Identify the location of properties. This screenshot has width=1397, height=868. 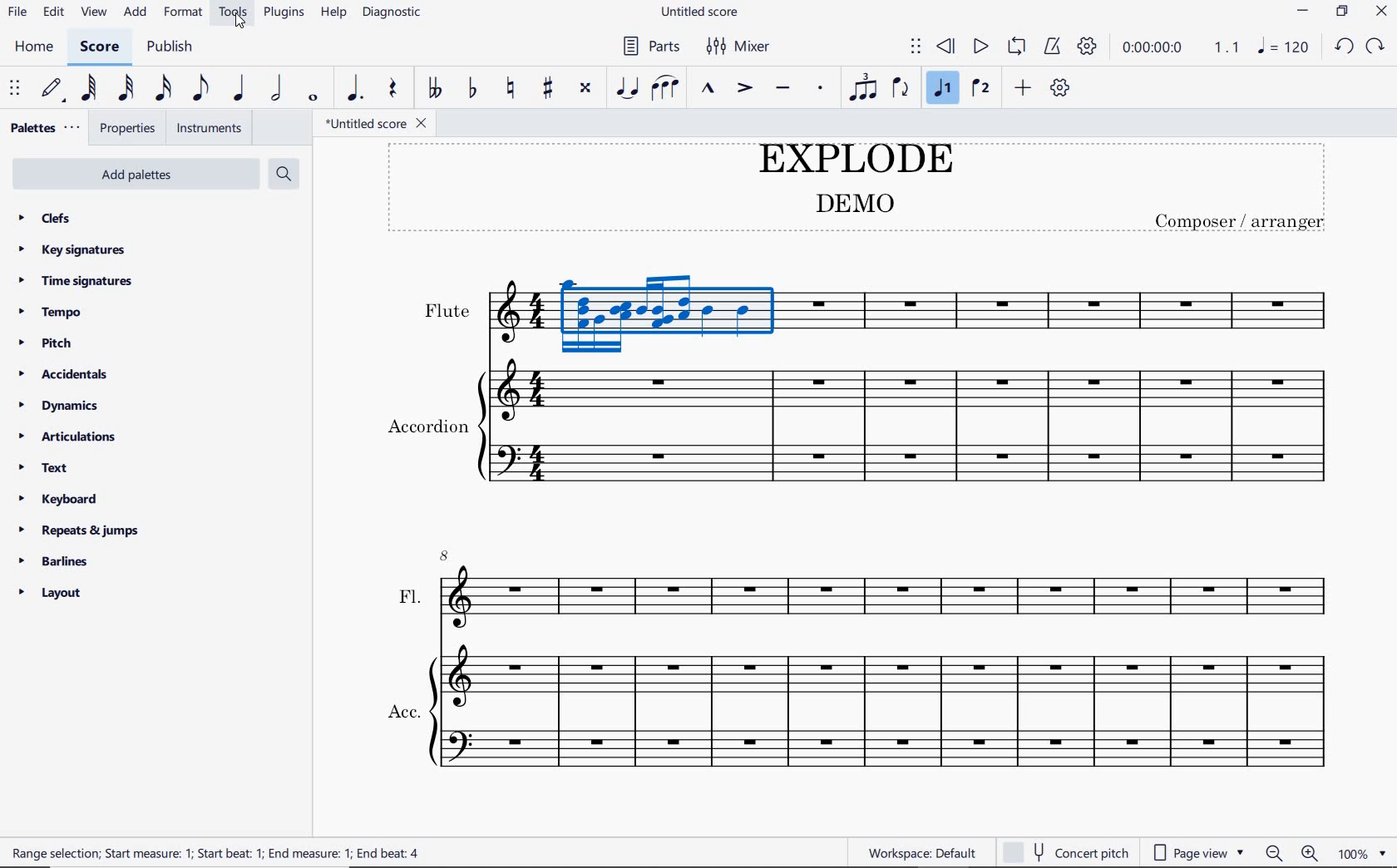
(126, 129).